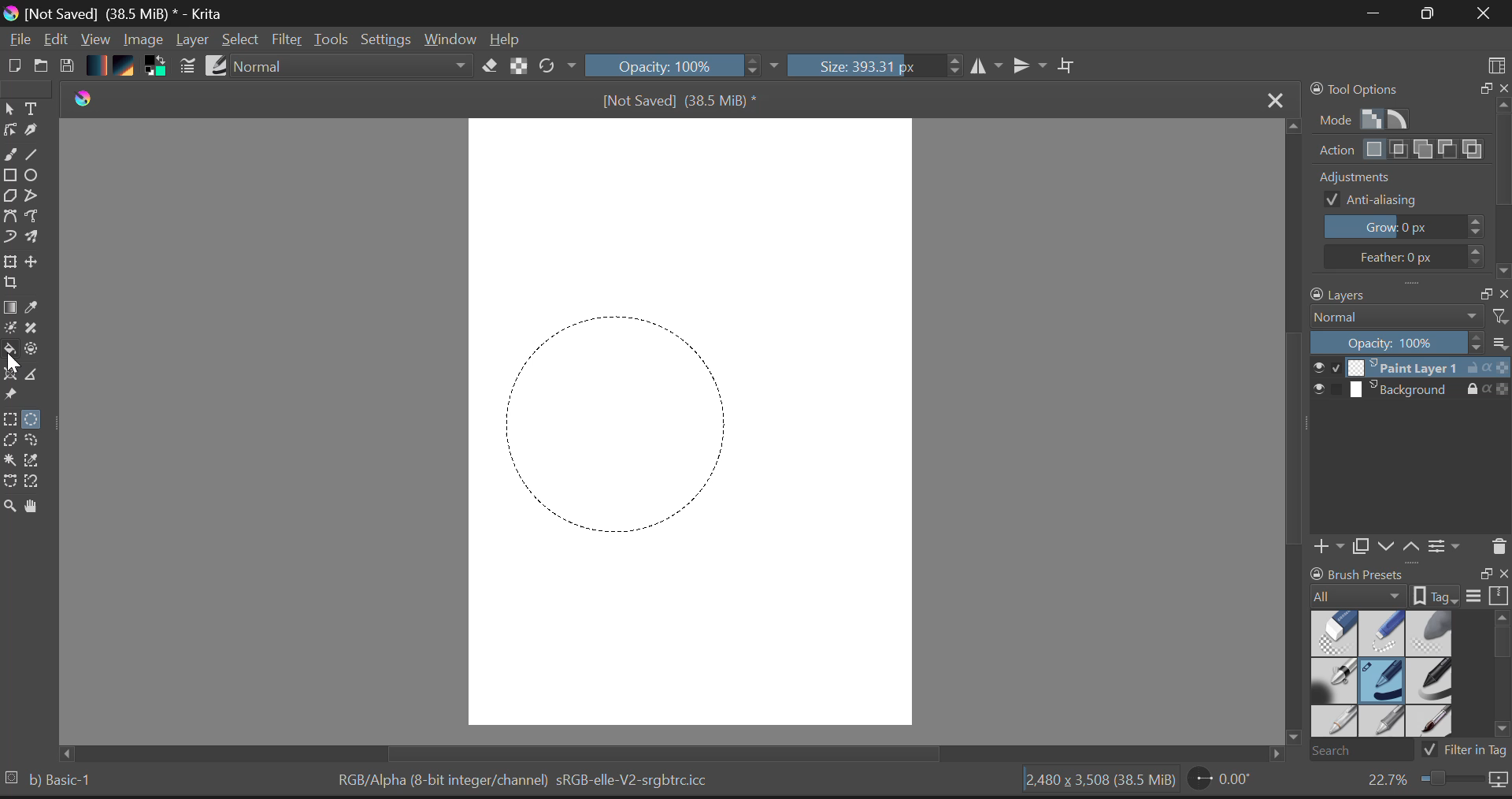 The height and width of the screenshot is (799, 1512). Describe the element at coordinates (679, 753) in the screenshot. I see `Scroll Bar` at that location.